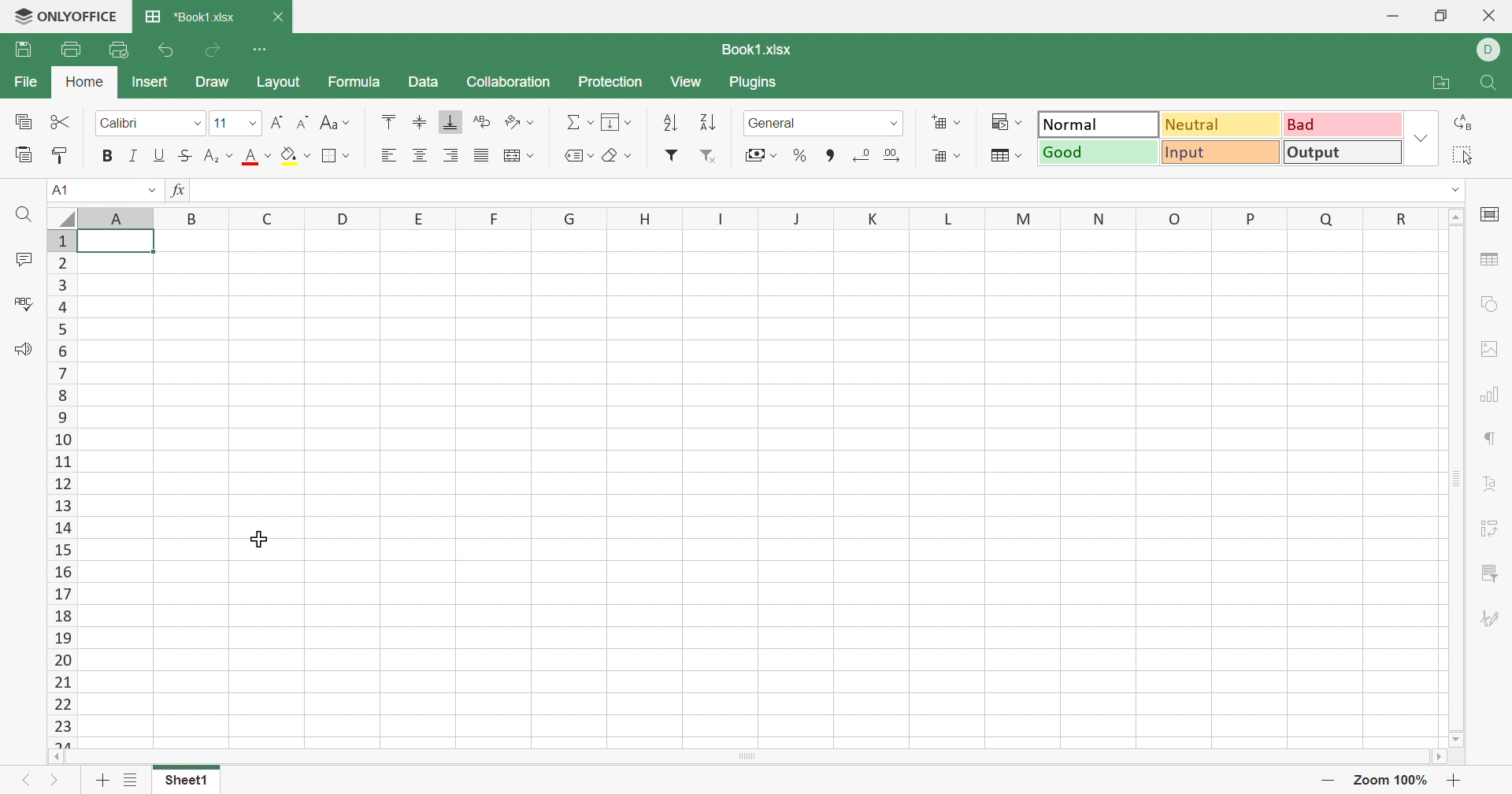 The width and height of the screenshot is (1512, 794). Describe the element at coordinates (421, 156) in the screenshot. I see `Align Center` at that location.